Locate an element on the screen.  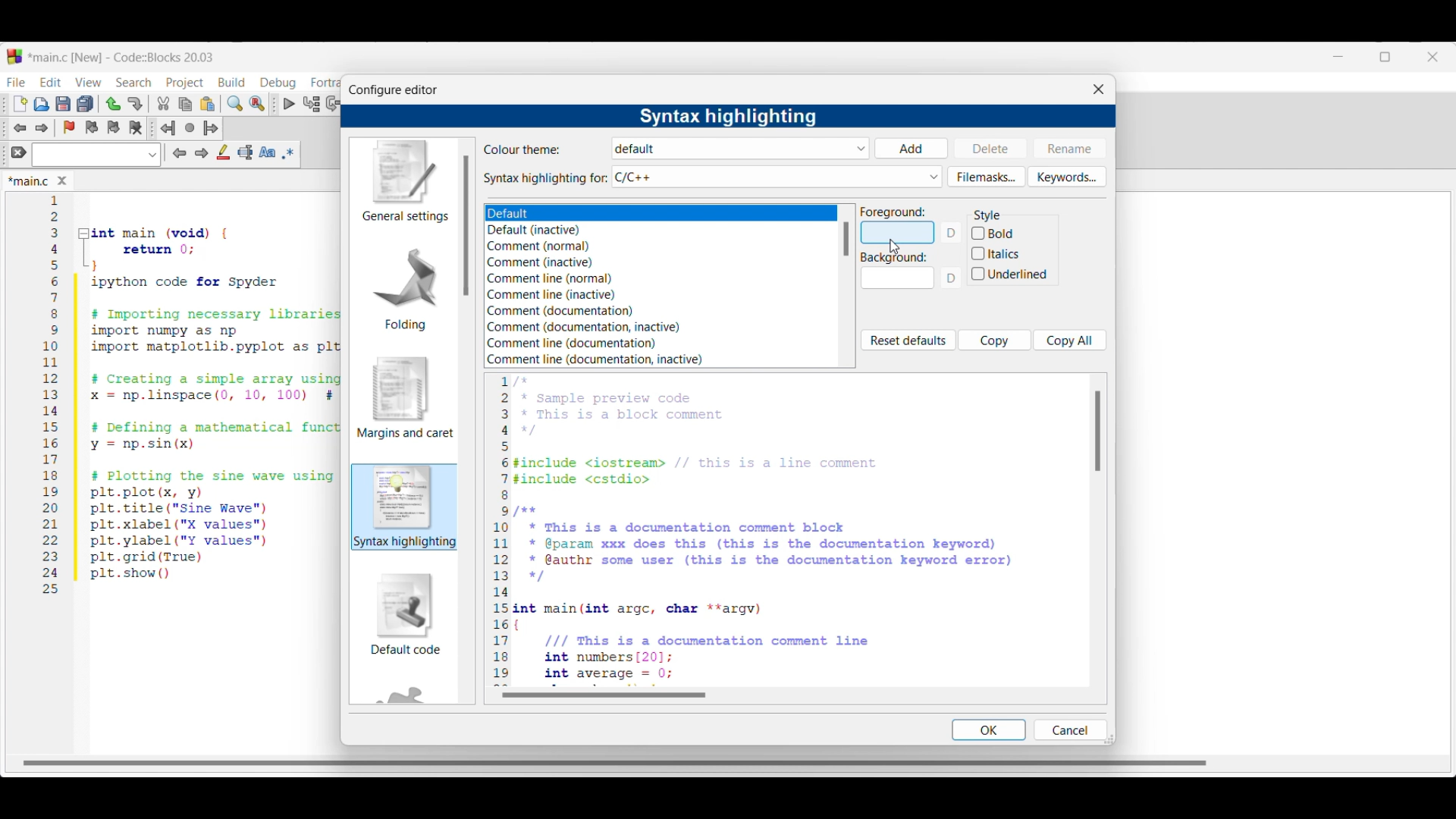
Toggle back is located at coordinates (20, 128).